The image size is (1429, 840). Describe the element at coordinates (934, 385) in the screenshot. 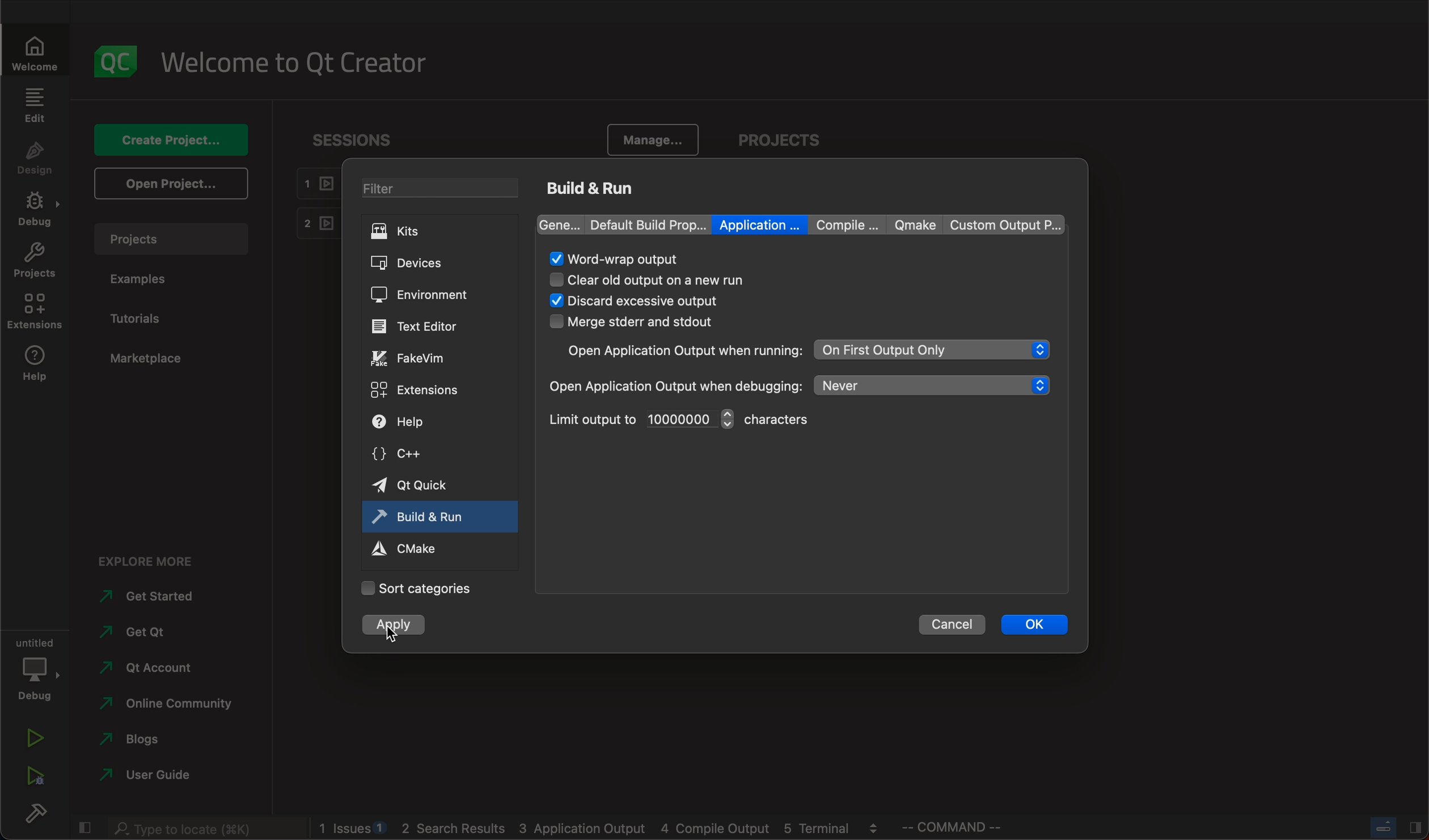

I see `never` at that location.